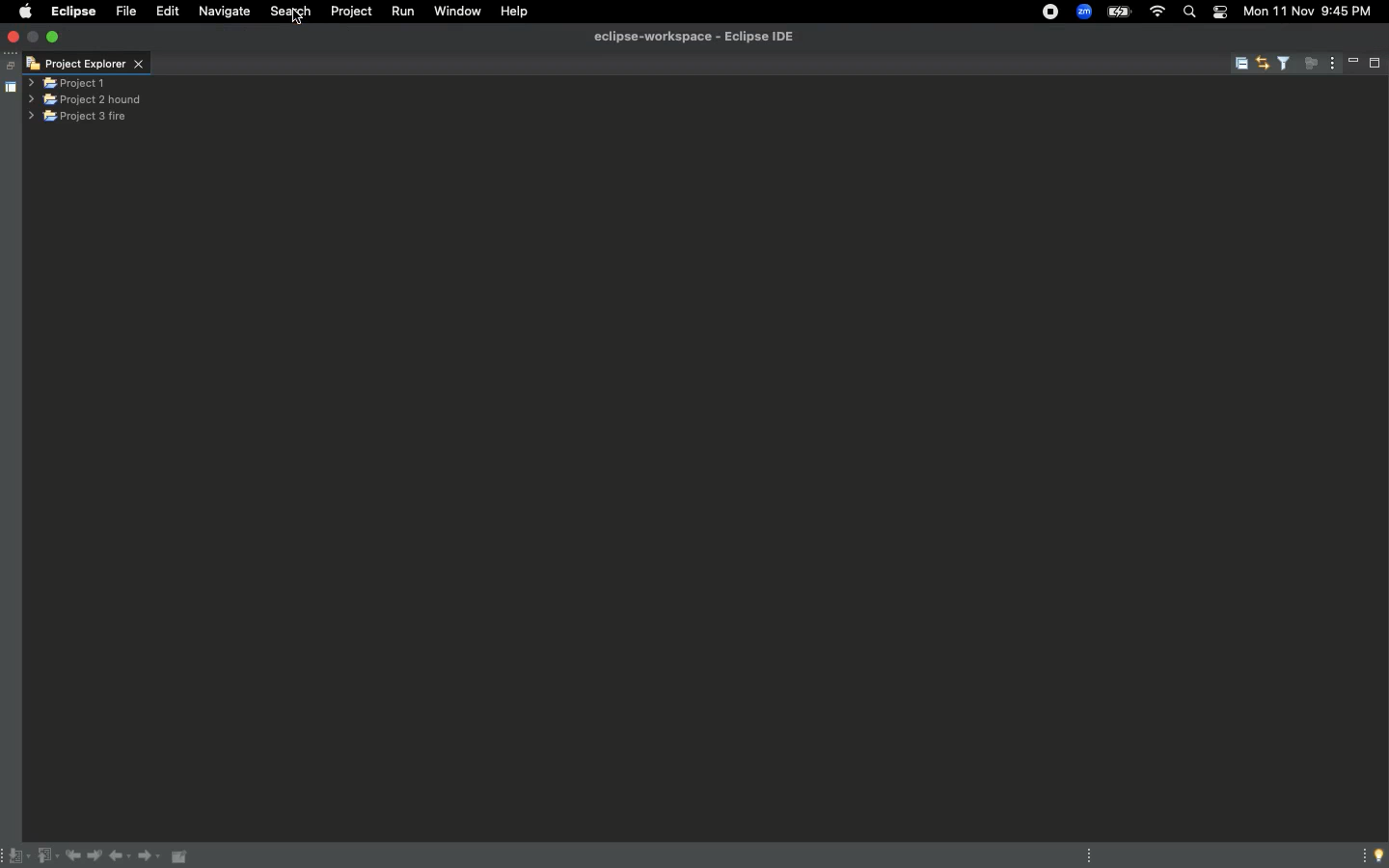 Image resolution: width=1389 pixels, height=868 pixels. Describe the element at coordinates (96, 856) in the screenshot. I see `Next edit location` at that location.